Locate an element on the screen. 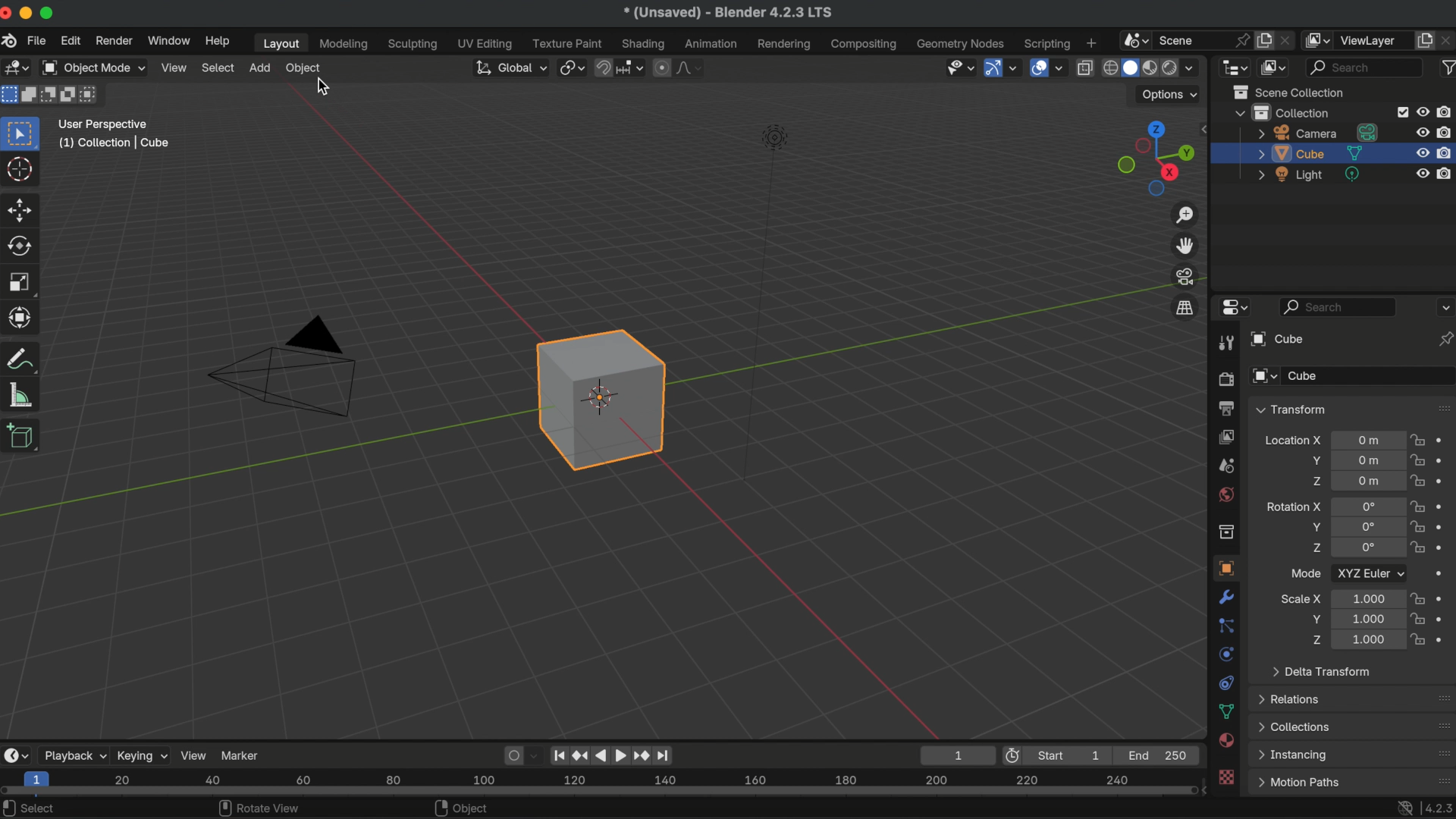 This screenshot has width=1456, height=819. particles is located at coordinates (1227, 626).